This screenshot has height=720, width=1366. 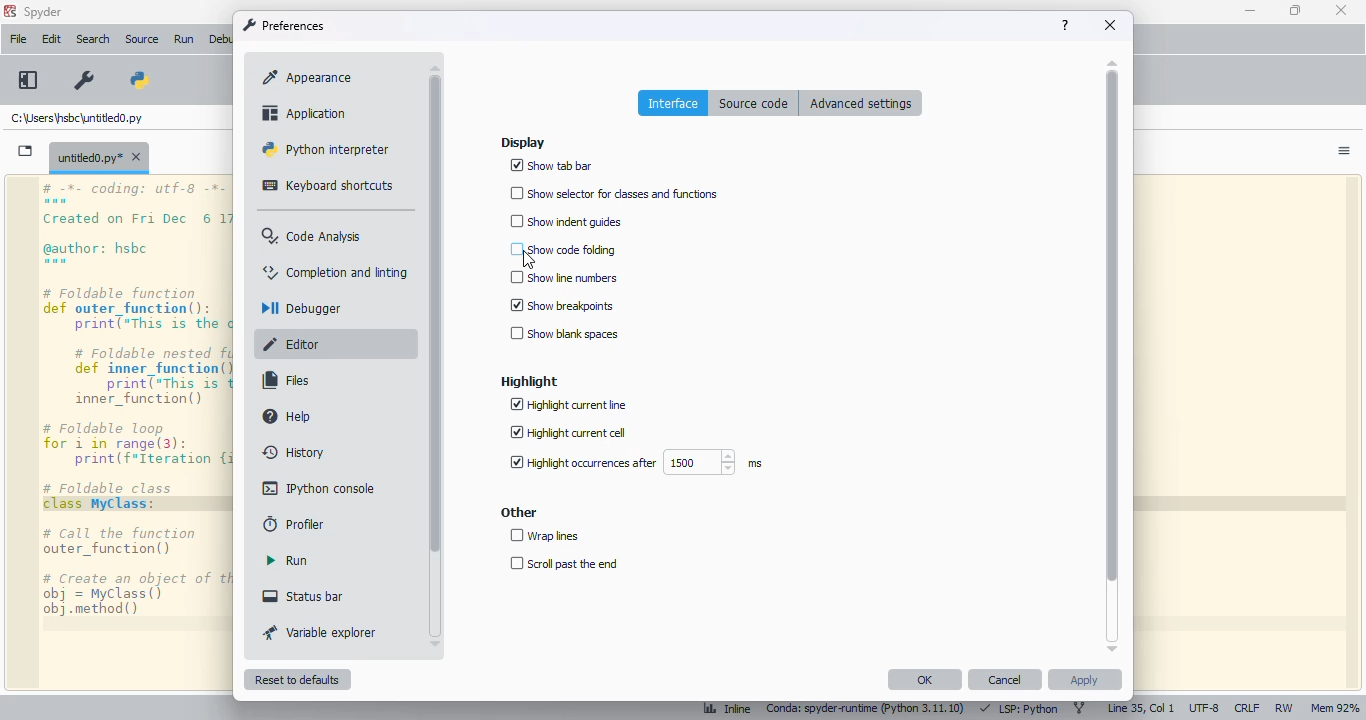 What do you see at coordinates (291, 524) in the screenshot?
I see `profiler` at bounding box center [291, 524].